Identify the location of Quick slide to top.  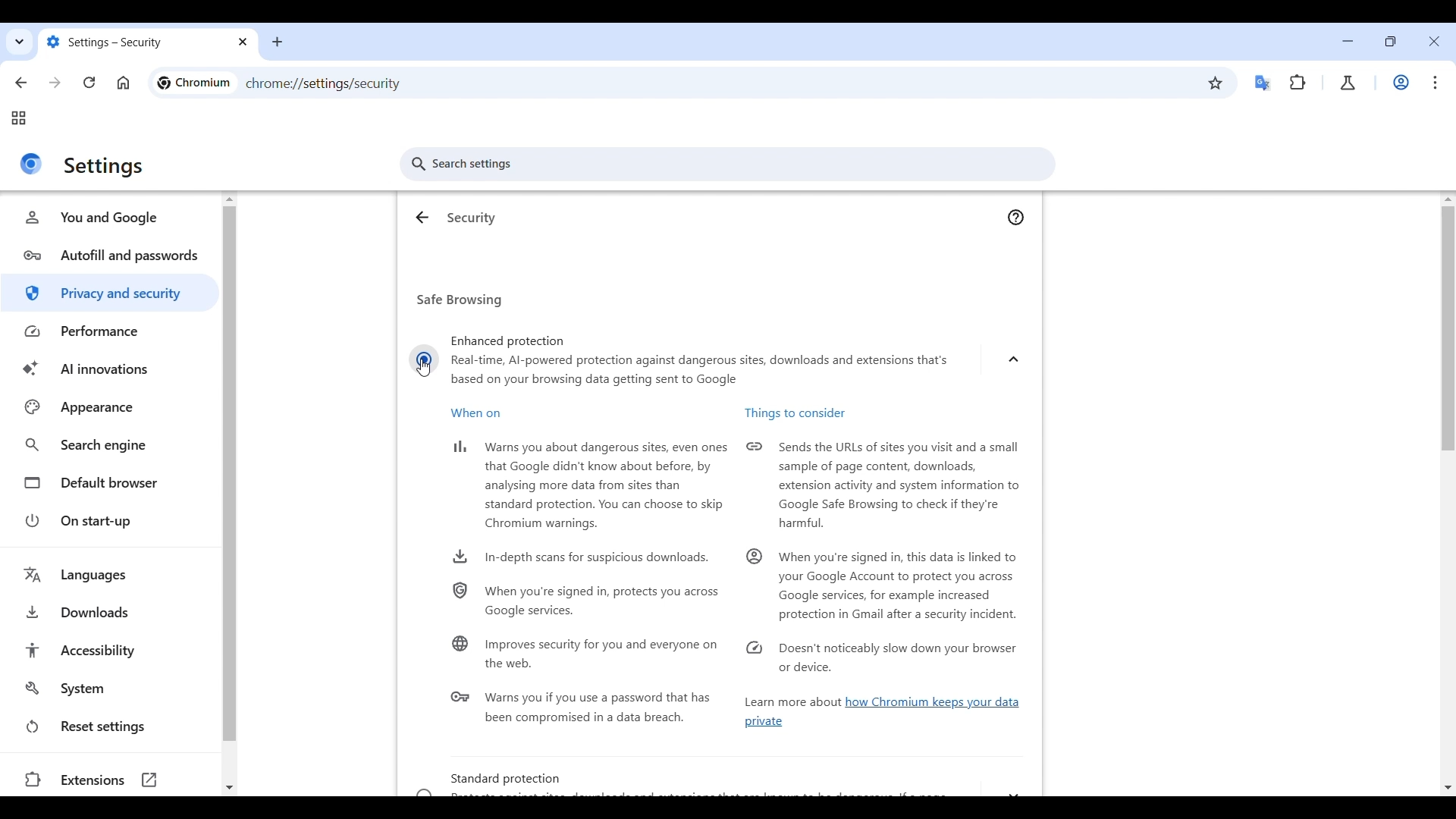
(1448, 199).